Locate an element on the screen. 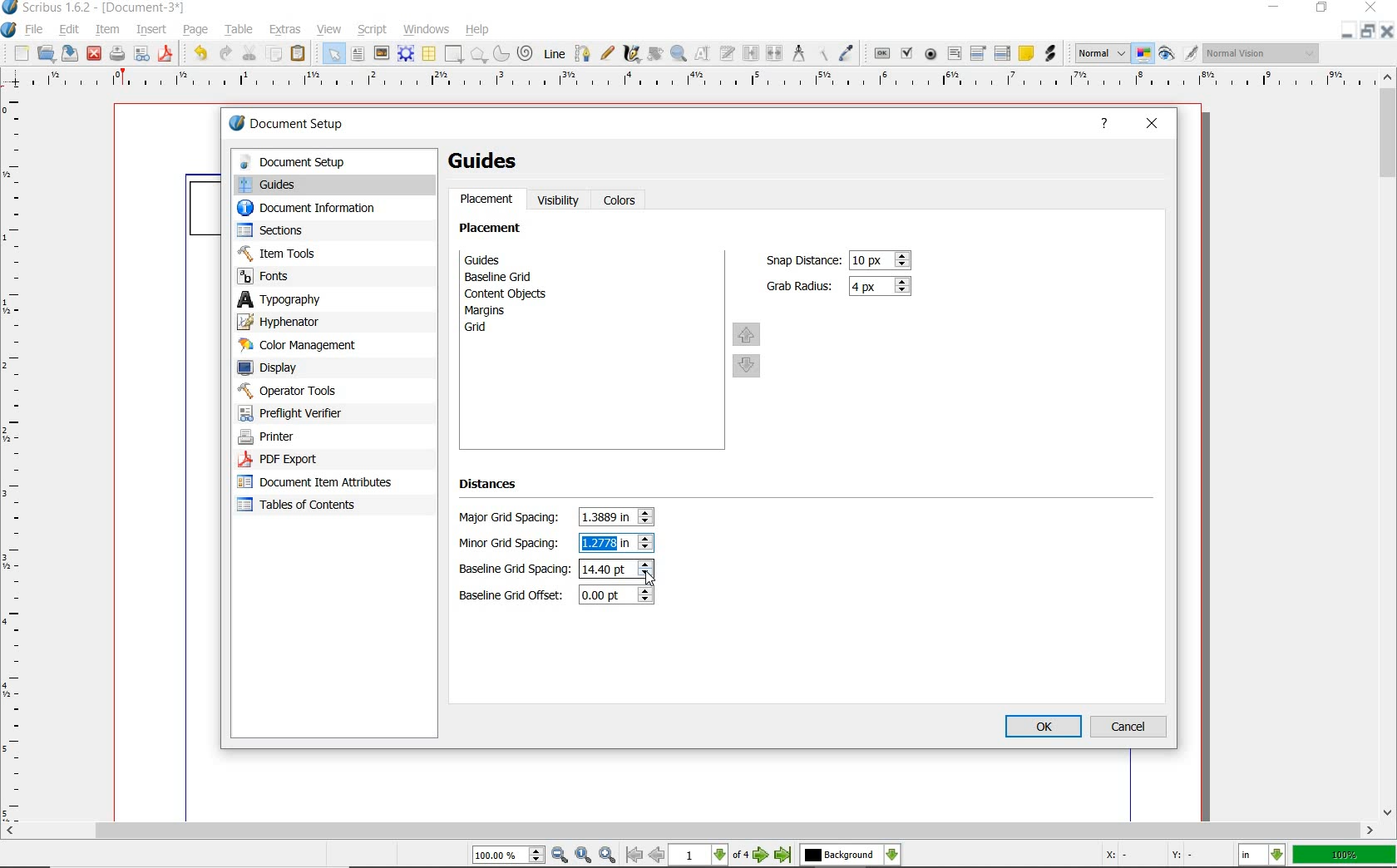  Baseline Grid Offset is located at coordinates (615, 596).